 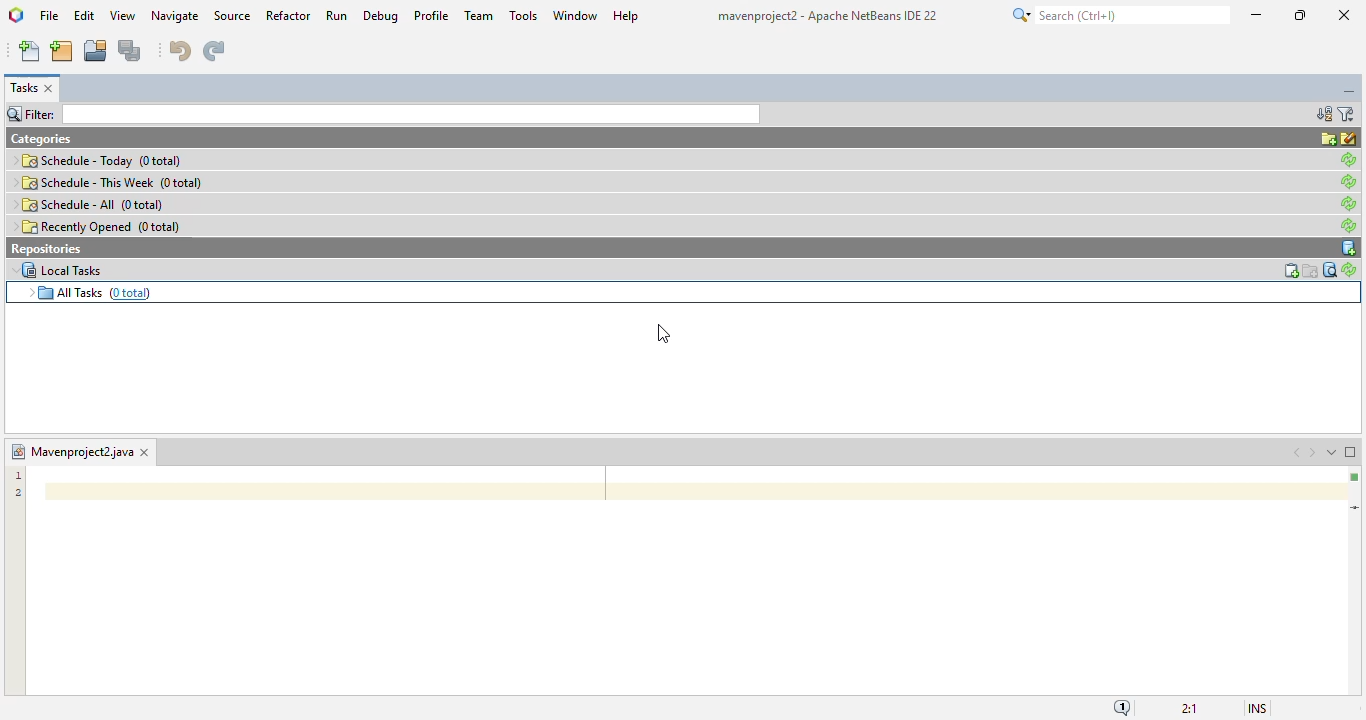 I want to click on refresh, so click(x=1348, y=158).